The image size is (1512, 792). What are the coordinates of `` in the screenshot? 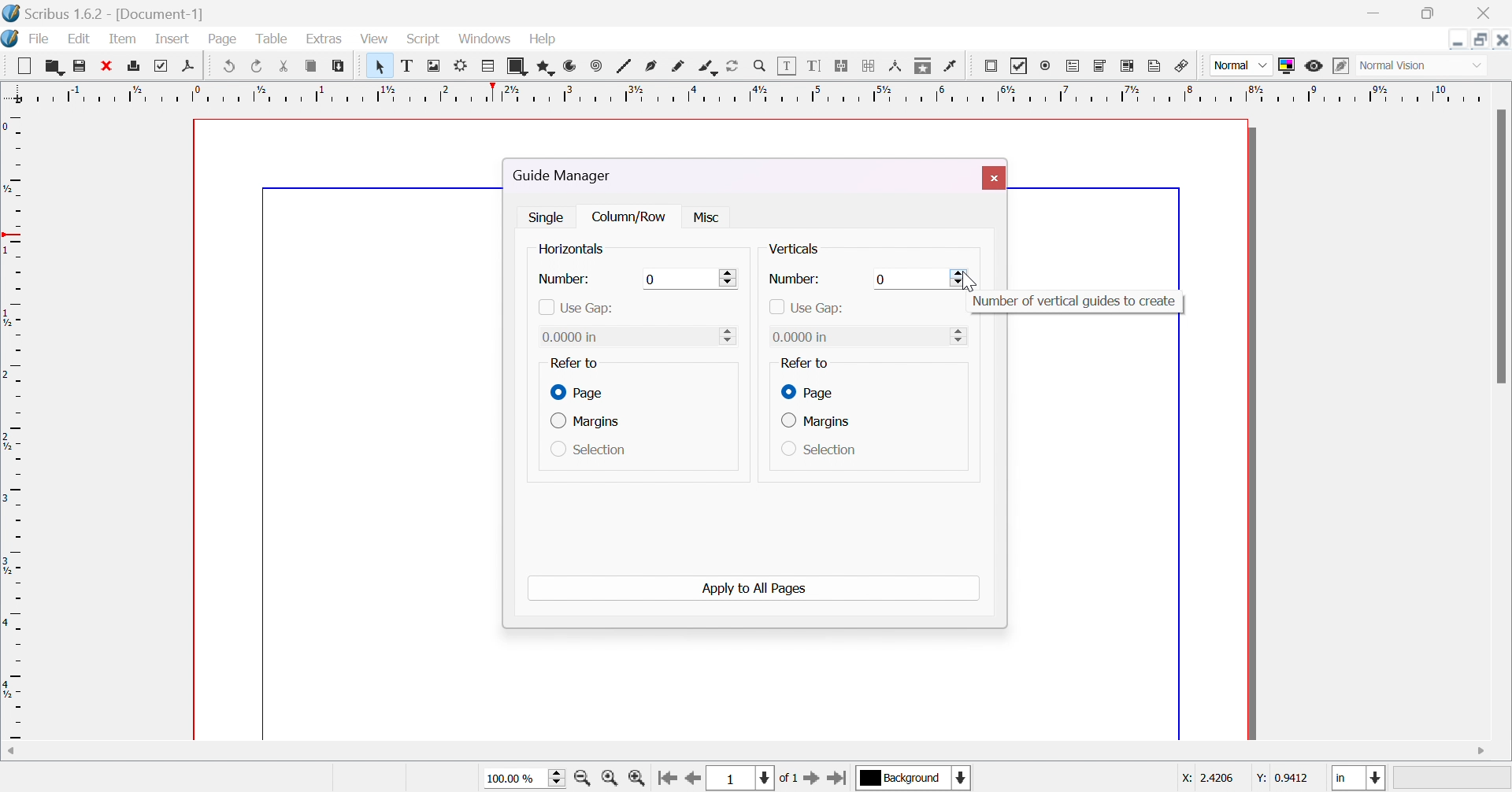 It's located at (28, 65).